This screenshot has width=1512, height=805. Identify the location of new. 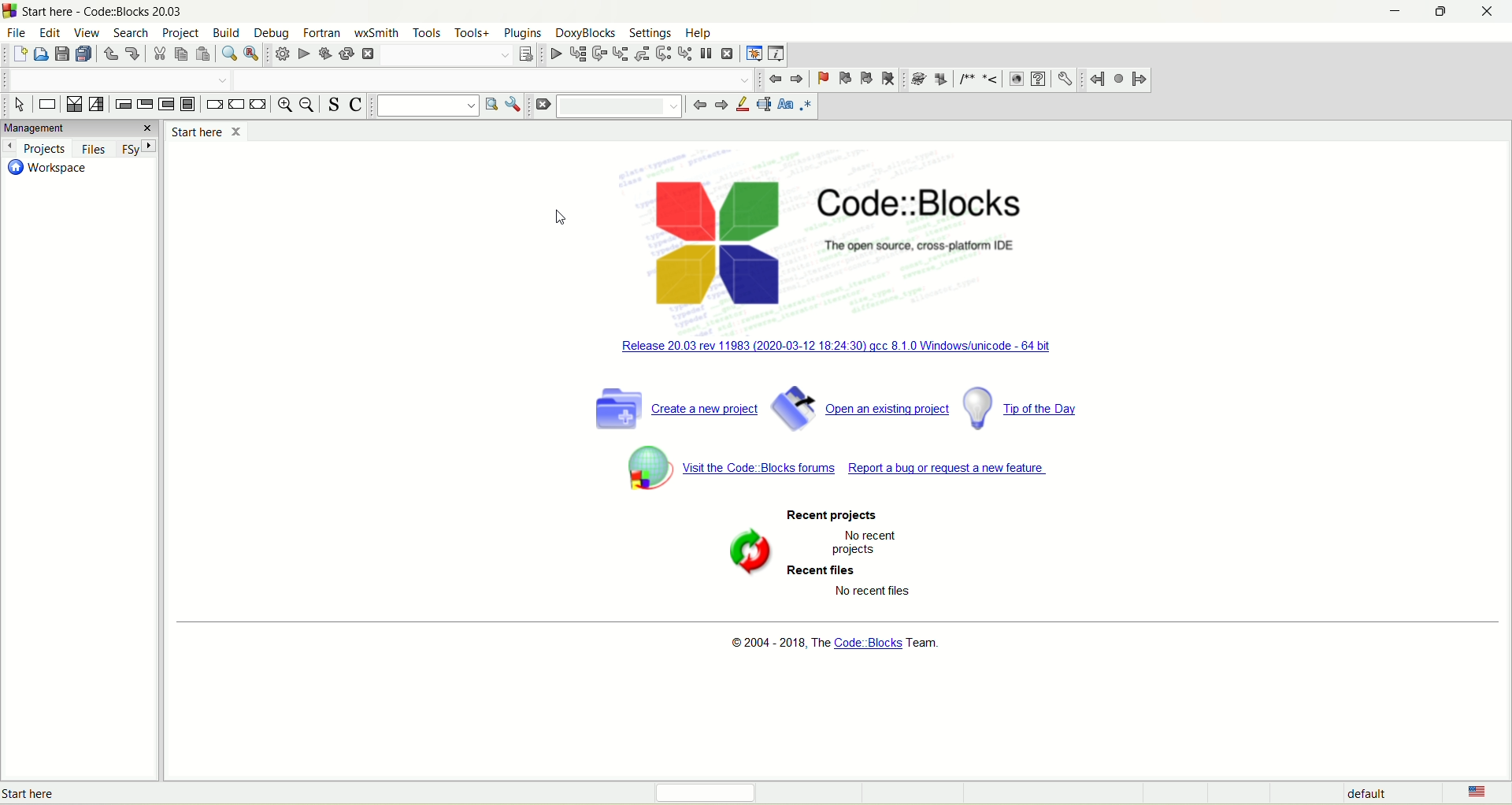
(19, 54).